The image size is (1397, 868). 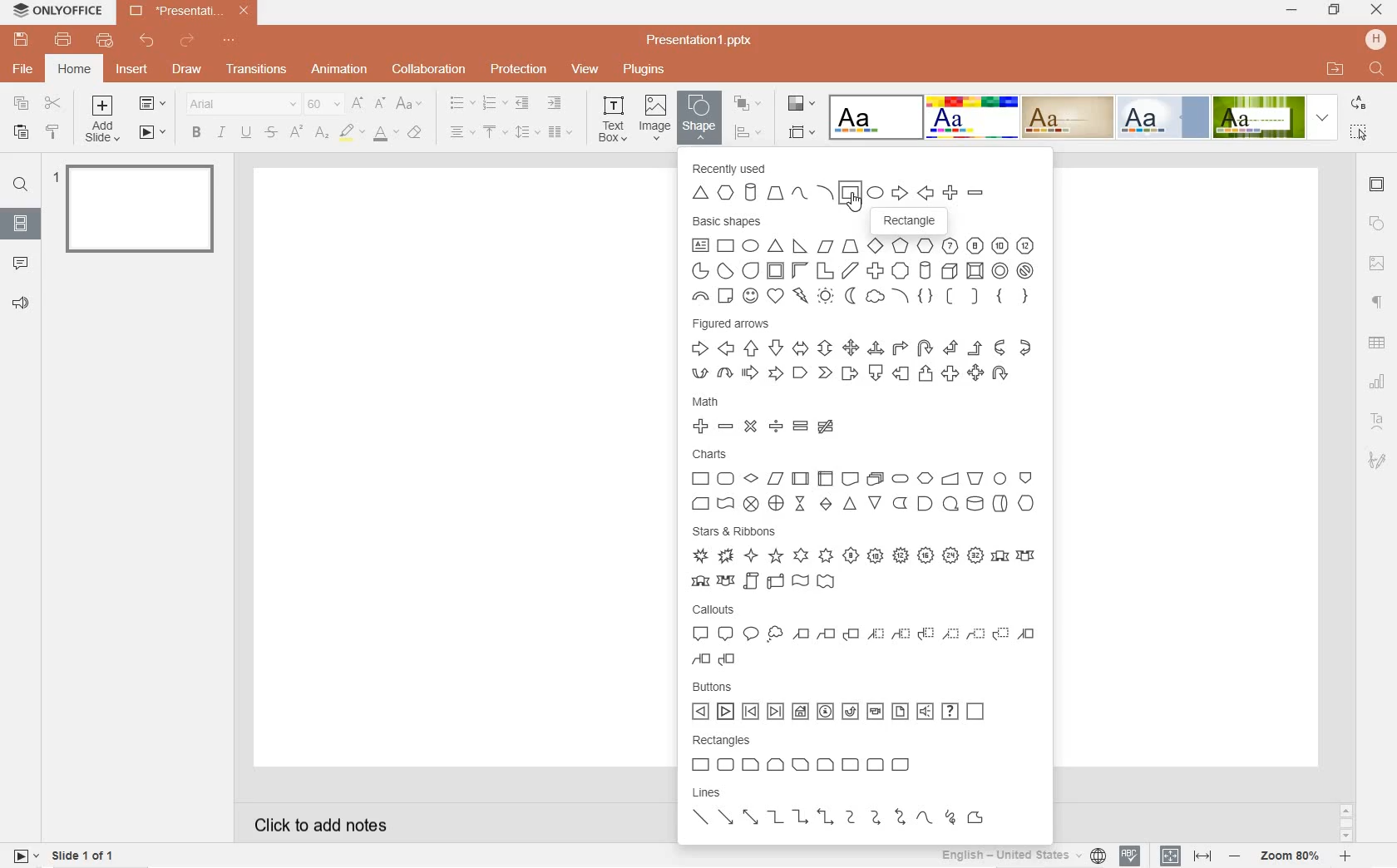 What do you see at coordinates (999, 348) in the screenshot?
I see `Curved right arrow` at bounding box center [999, 348].